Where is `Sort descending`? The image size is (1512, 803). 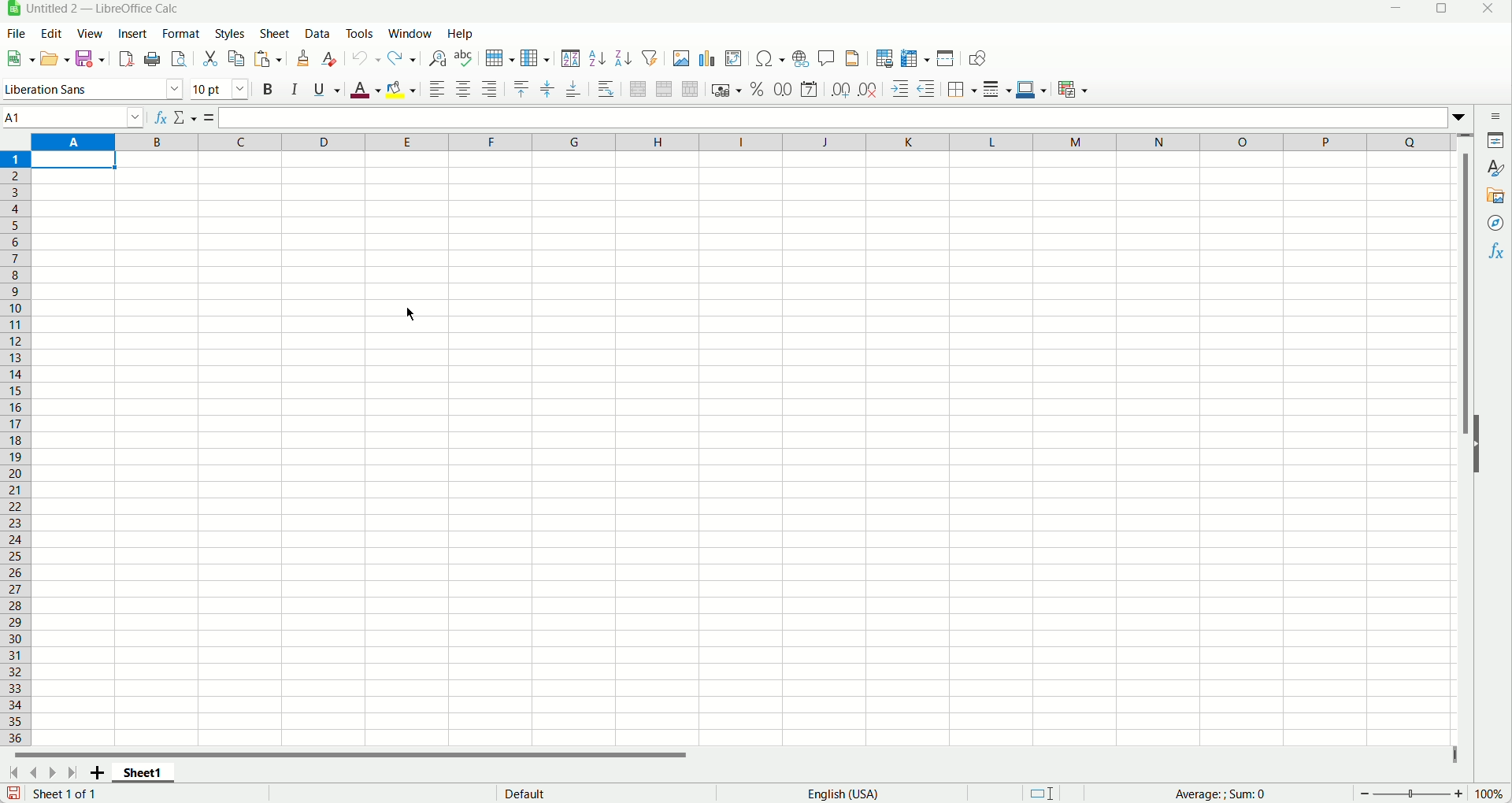 Sort descending is located at coordinates (624, 57).